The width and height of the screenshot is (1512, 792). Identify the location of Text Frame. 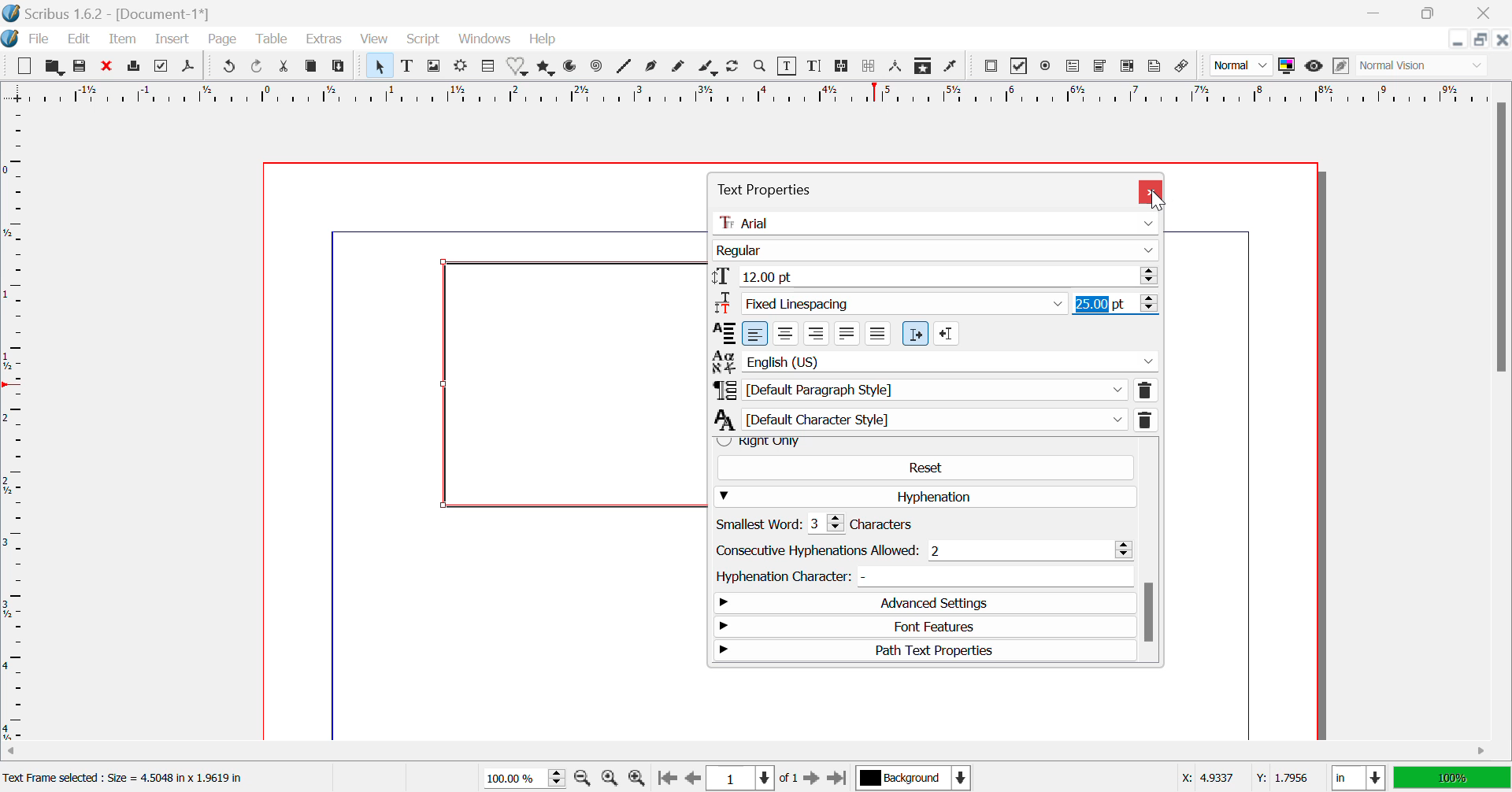
(408, 68).